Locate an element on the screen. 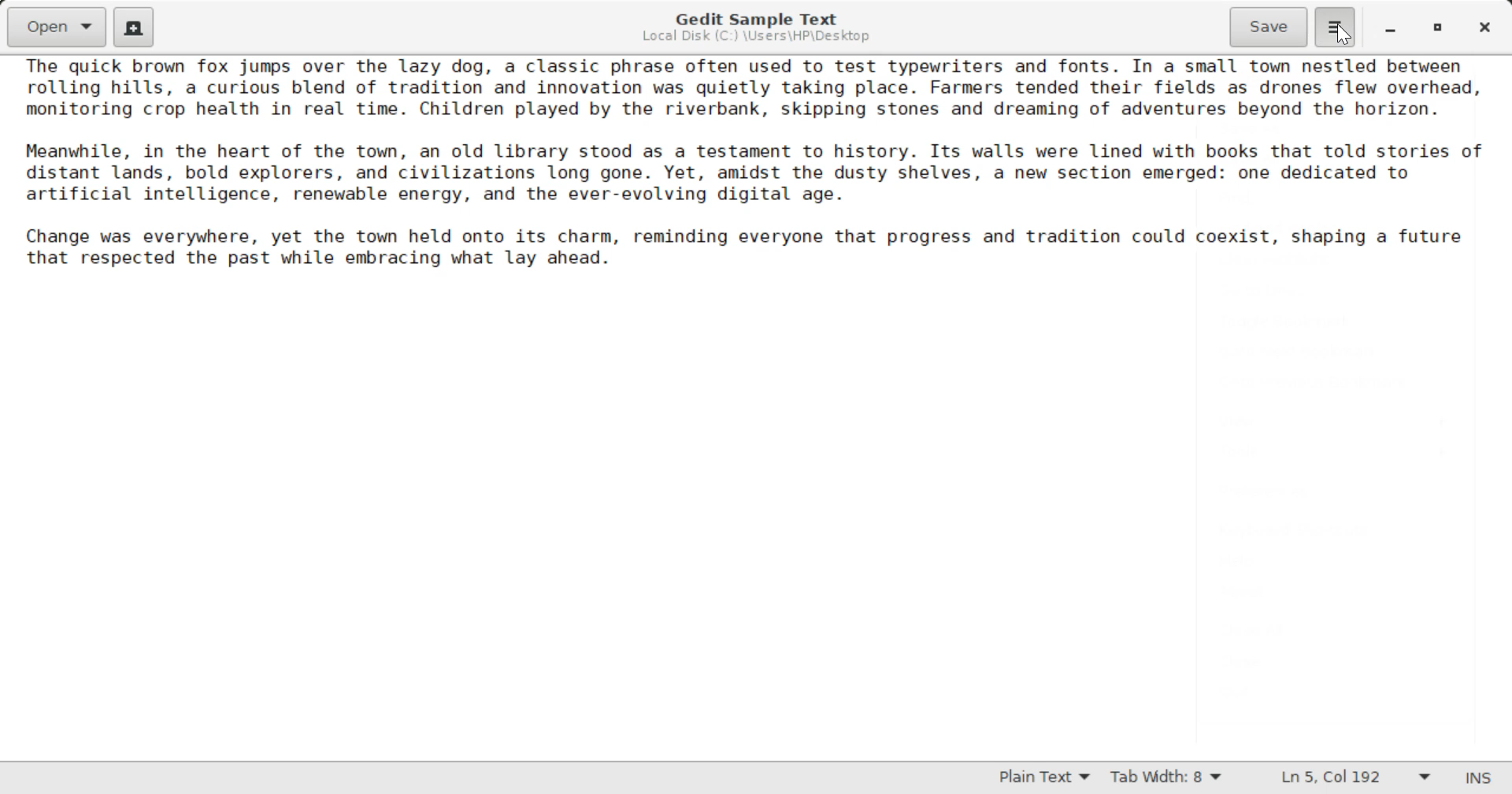 The image size is (1512, 794). The quick brown fox jumps over the lazy dog, a classic phrase often used to test typewriters and fonts. In a small town nestled between
rolling hills, a curious blend of tradition and innovation was quietly taking place. Farmers tended their fields as drones flew overhead,
monitoring crop health in real time. Children played by the riverbank, skipping stones and dreaming of adventures beyond the horizon.
Meanwhile, in the heart of the town, an old library stood as a testament to history. Its walls were lined with books that told stories of
distant lands, bold explorers, and civilizations long gone. Yet, amidst the dusty shelves, a new section emerged: one dedicated to
artificial intelligence, renewable energy, and the ever-evolving digital age.

Change was everywhere, yet the town held onto its charm, reminding everyone that progress and tradition could coexist, shaping a future
that respected the past while embracing what lay ahead. is located at coordinates (754, 163).